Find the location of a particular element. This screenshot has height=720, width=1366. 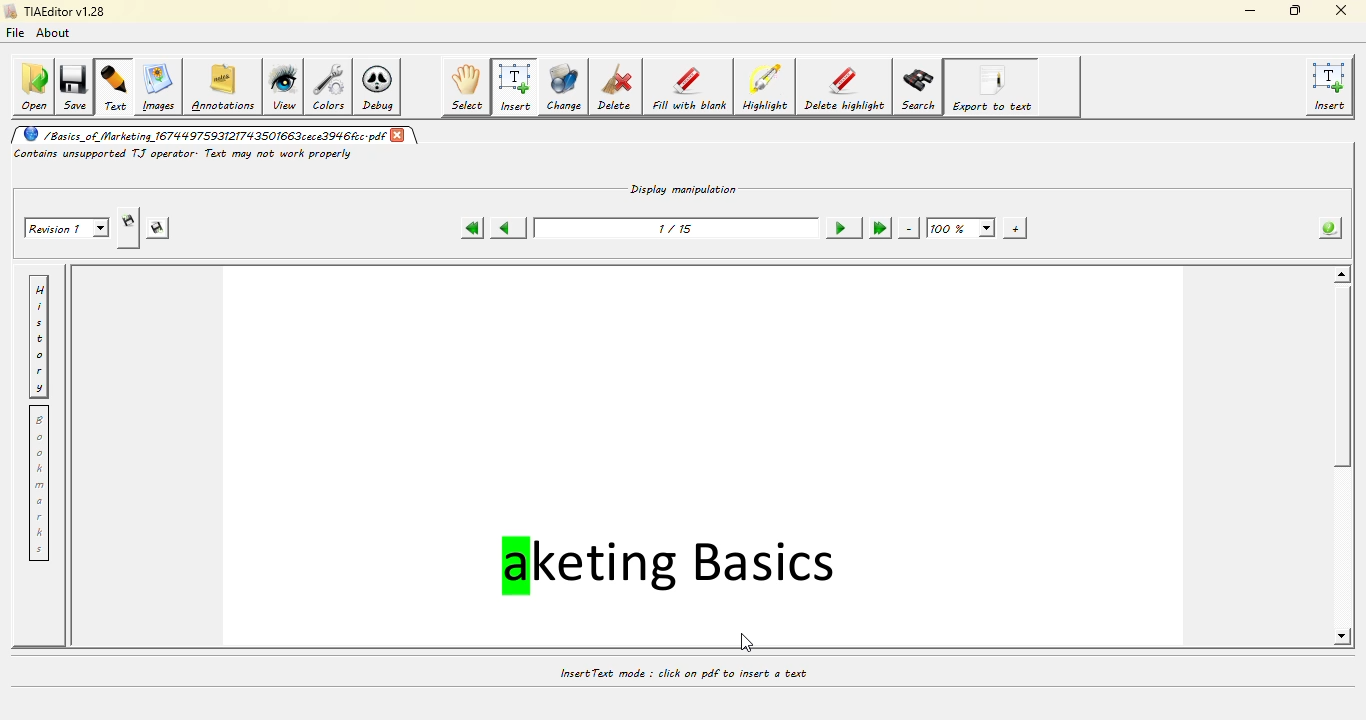

Display manipulation is located at coordinates (685, 187).